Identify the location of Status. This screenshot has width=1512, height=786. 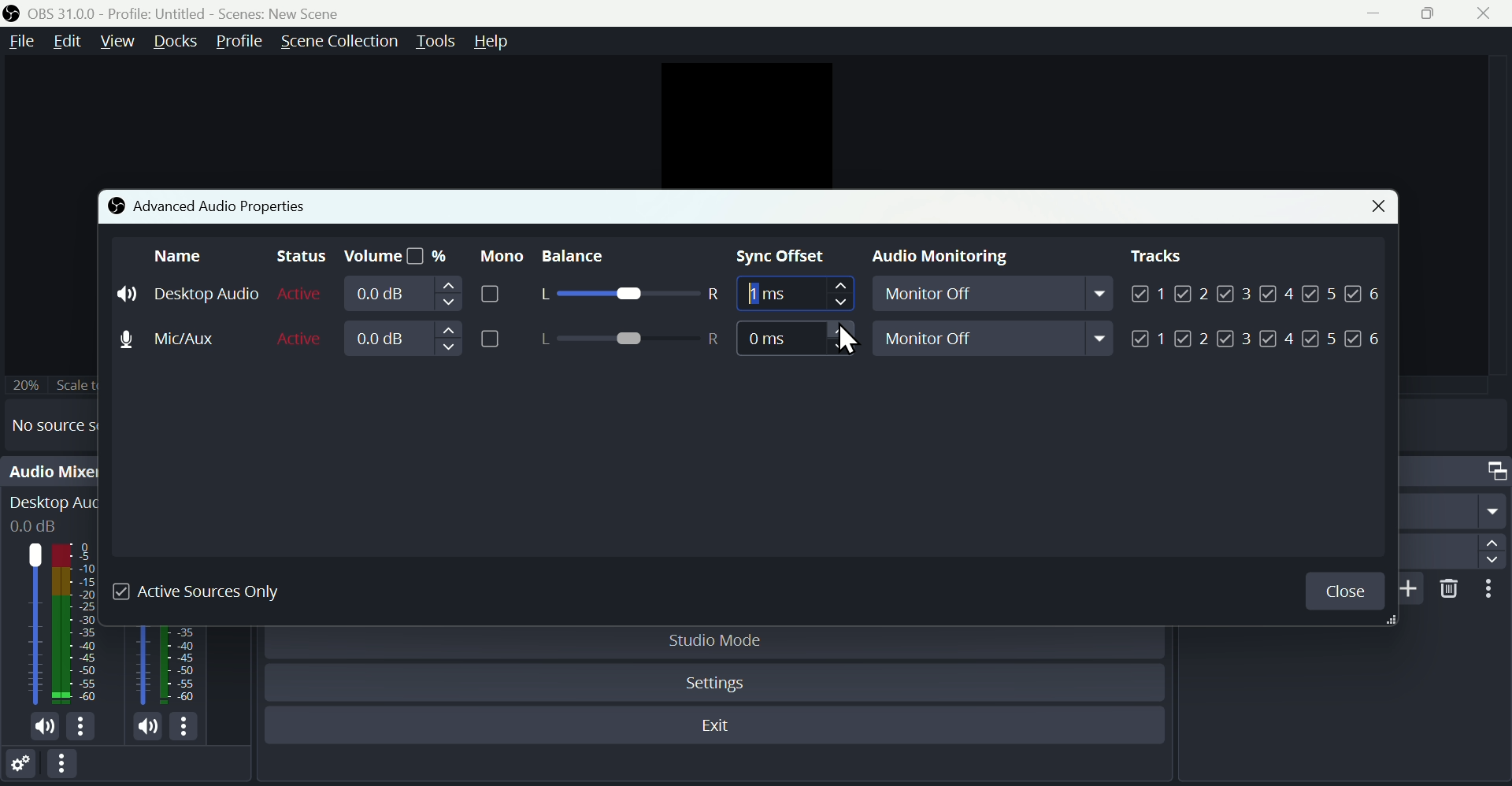
(297, 257).